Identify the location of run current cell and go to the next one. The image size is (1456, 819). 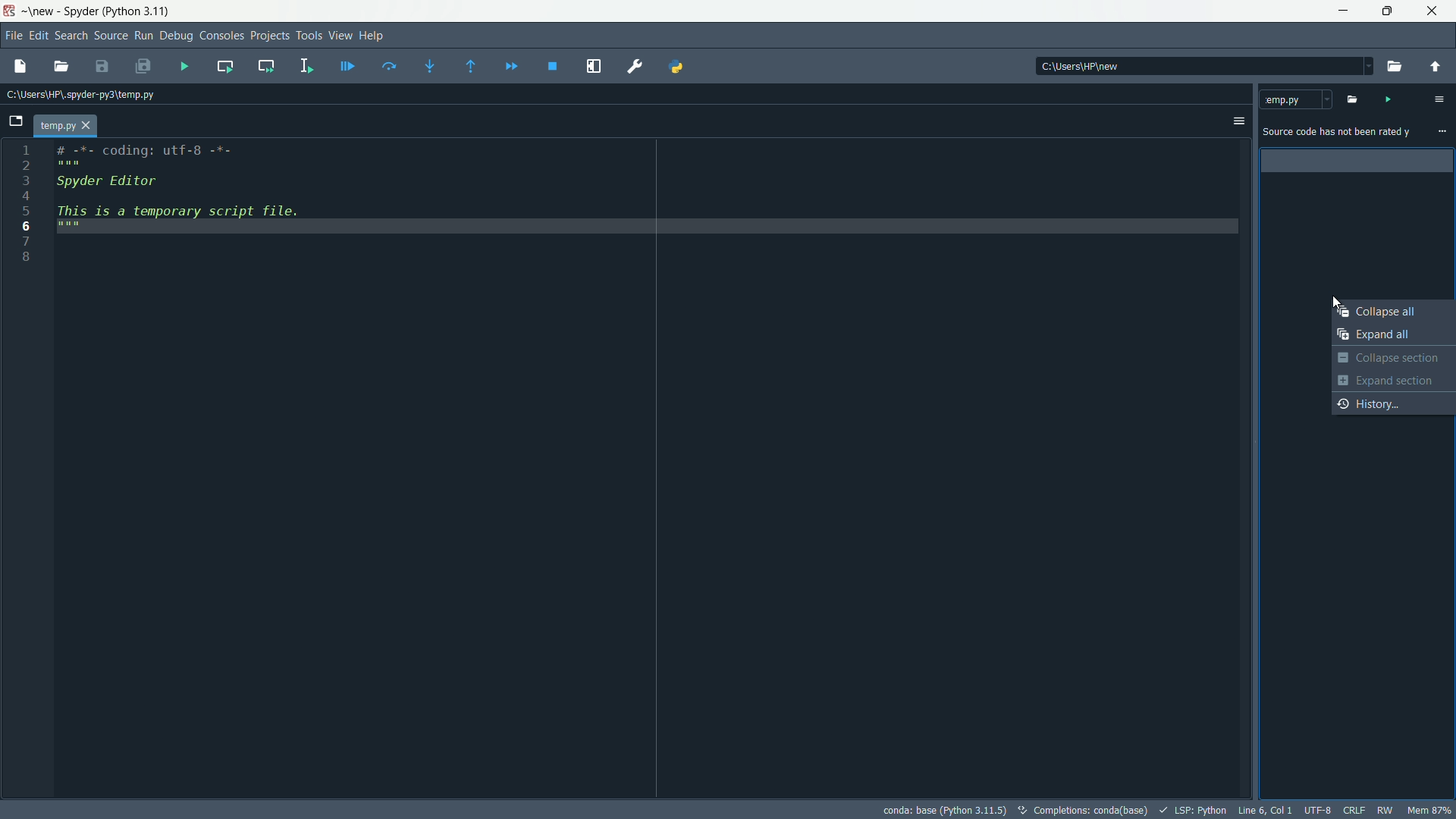
(267, 65).